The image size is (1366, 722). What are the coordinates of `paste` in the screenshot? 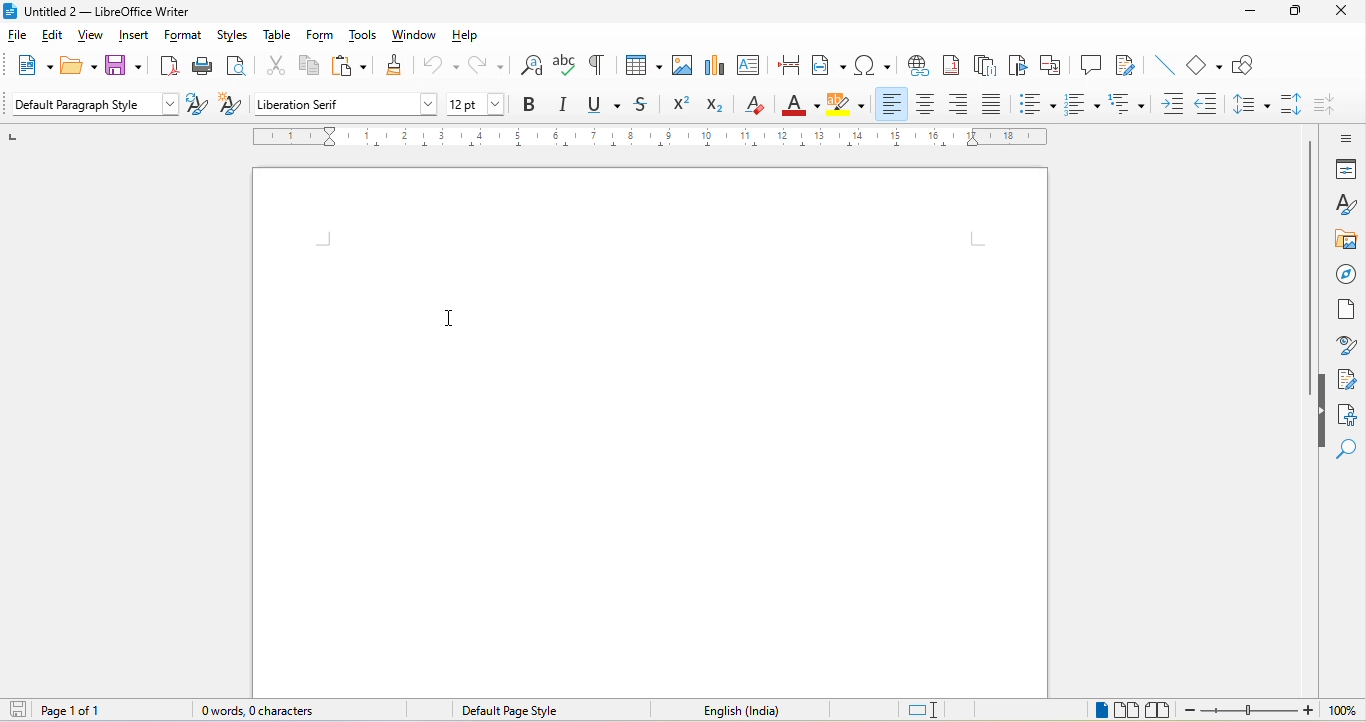 It's located at (354, 70).